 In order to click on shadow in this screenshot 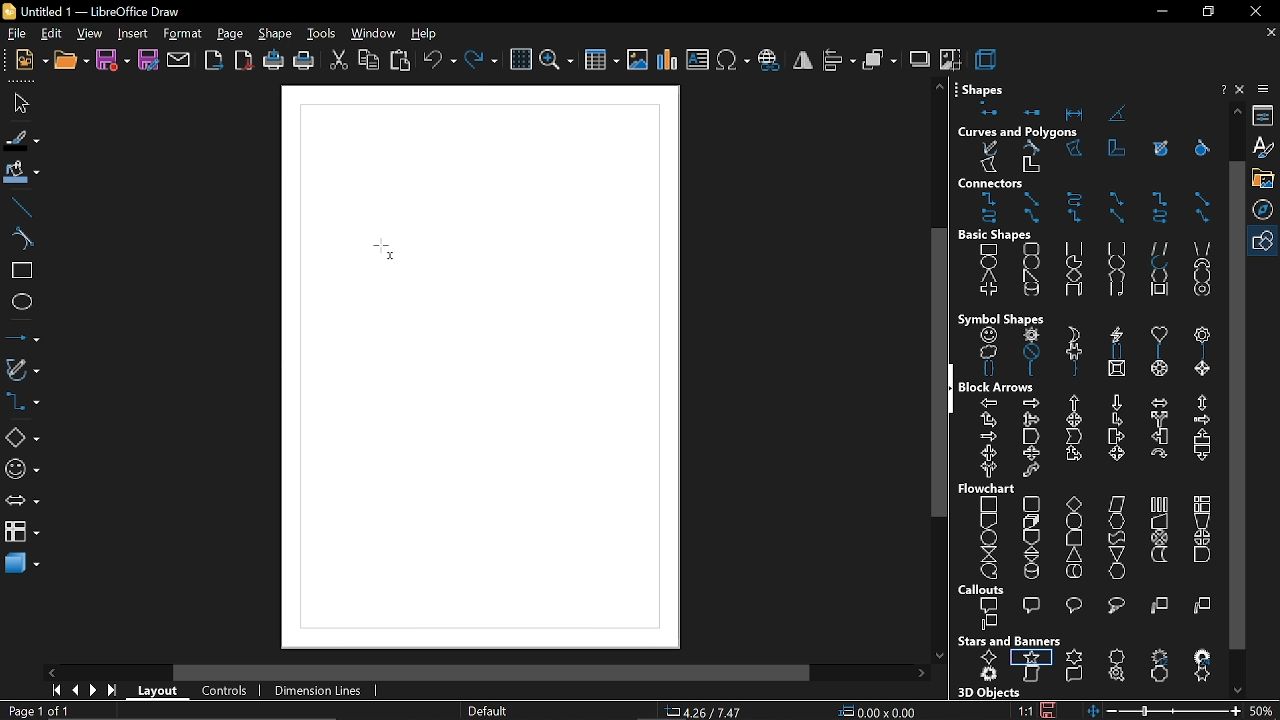, I will do `click(920, 61)`.